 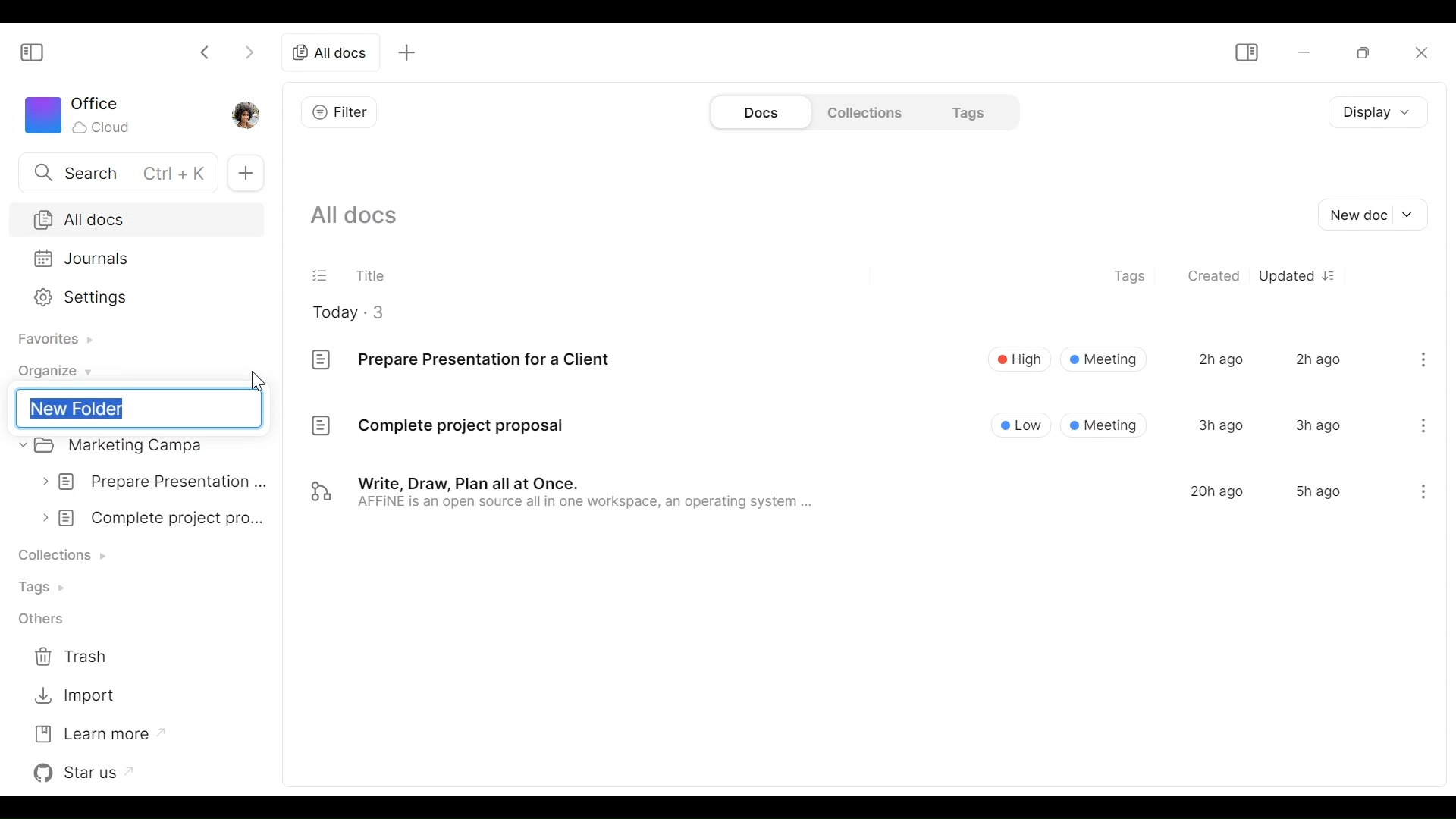 What do you see at coordinates (360, 312) in the screenshot?
I see `Today - 3` at bounding box center [360, 312].